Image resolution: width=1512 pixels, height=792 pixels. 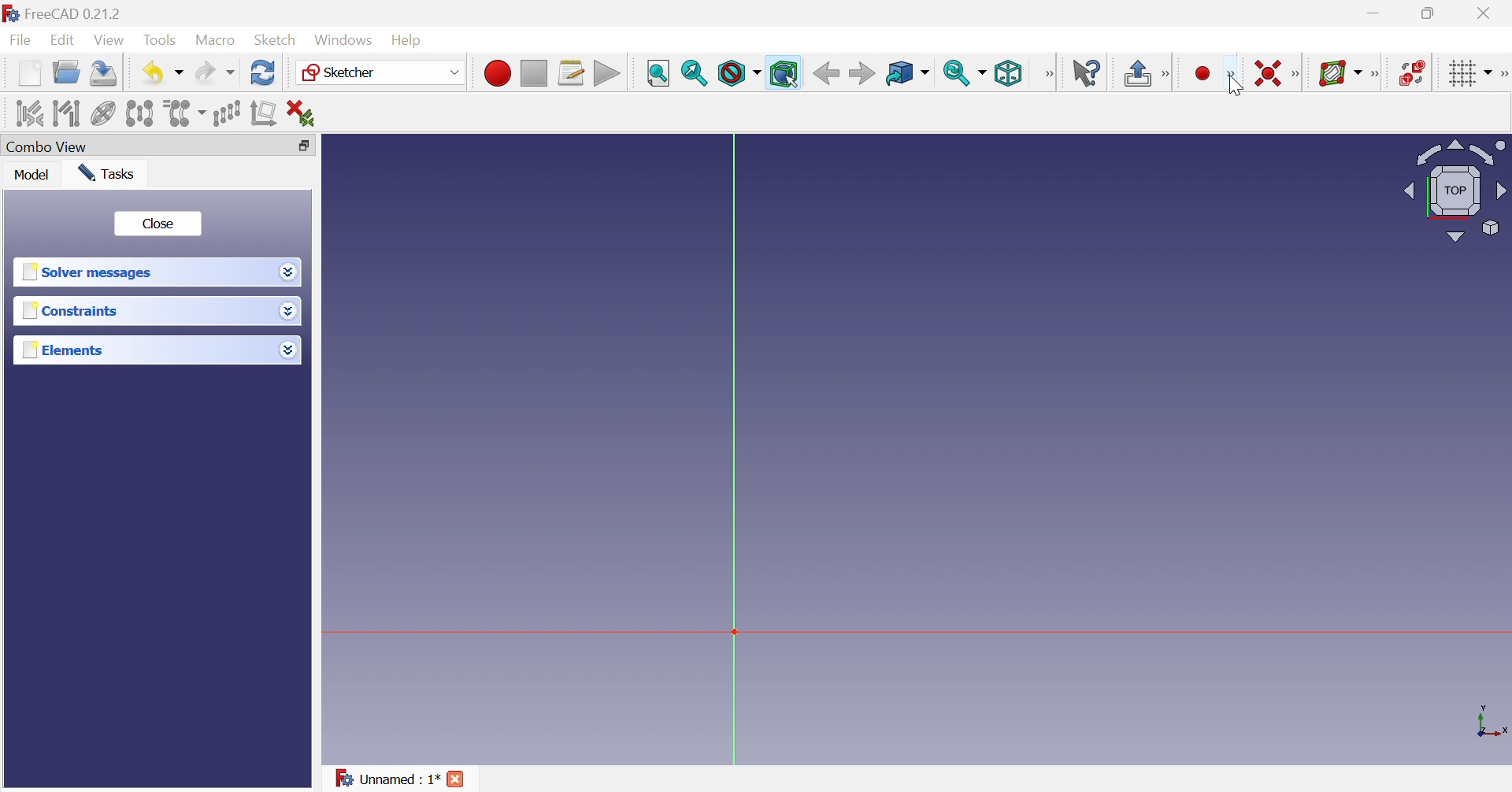 What do you see at coordinates (1489, 720) in the screenshot?
I see `x, y axis` at bounding box center [1489, 720].